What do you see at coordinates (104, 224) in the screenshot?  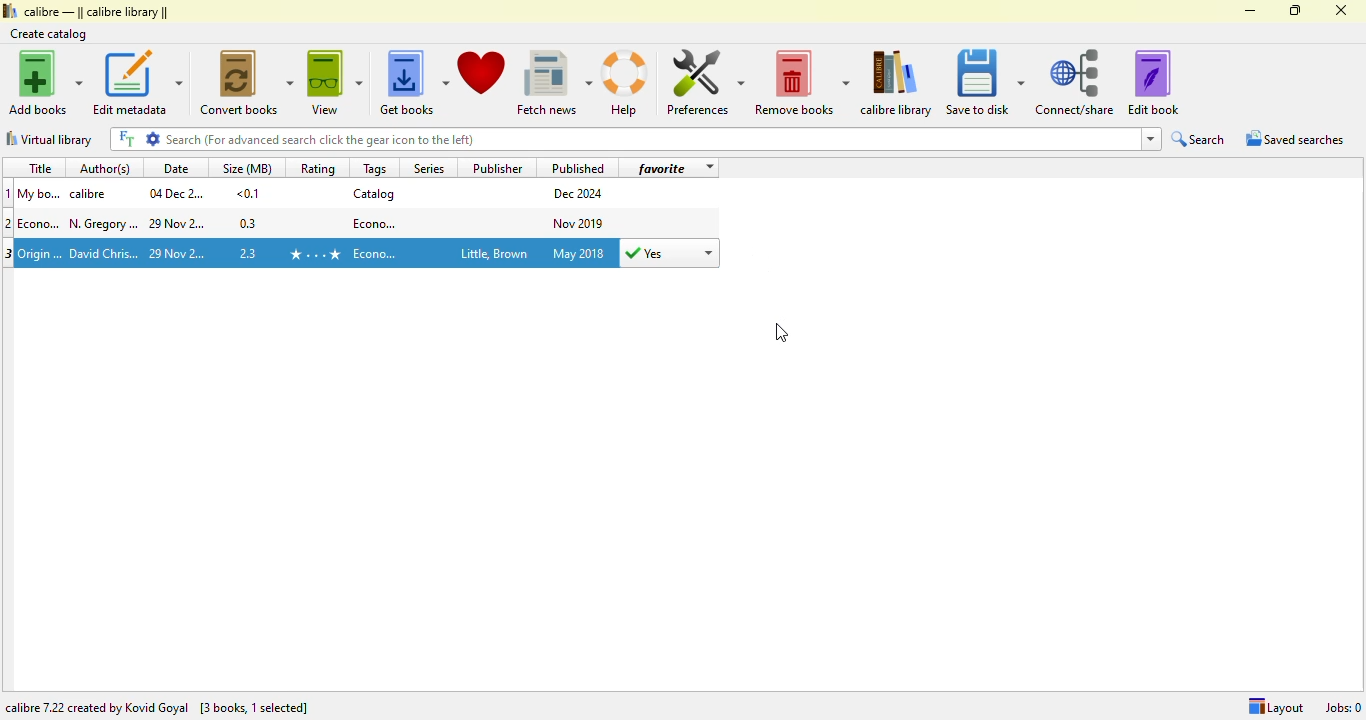 I see `author` at bounding box center [104, 224].